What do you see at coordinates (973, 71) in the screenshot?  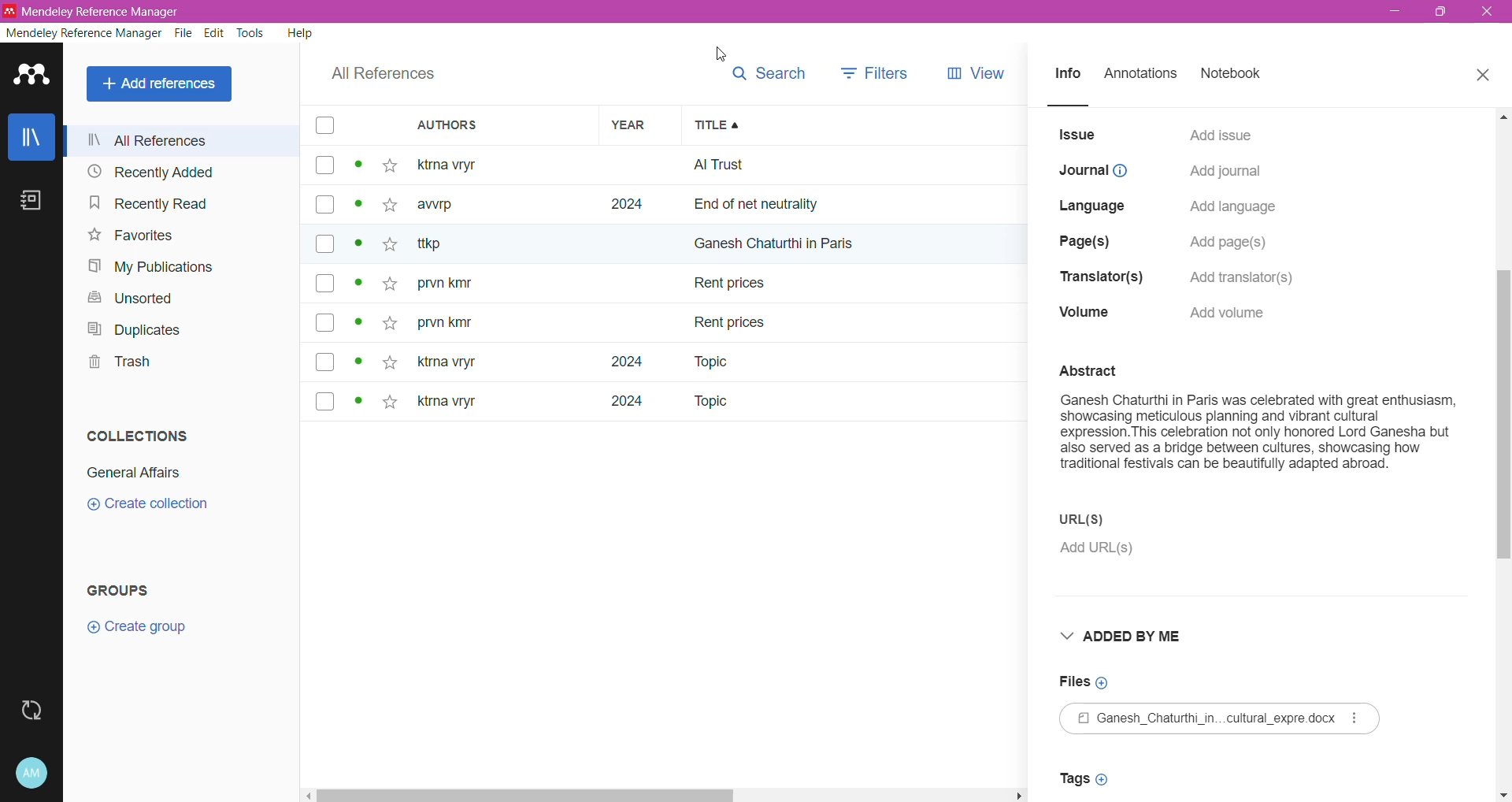 I see `View` at bounding box center [973, 71].